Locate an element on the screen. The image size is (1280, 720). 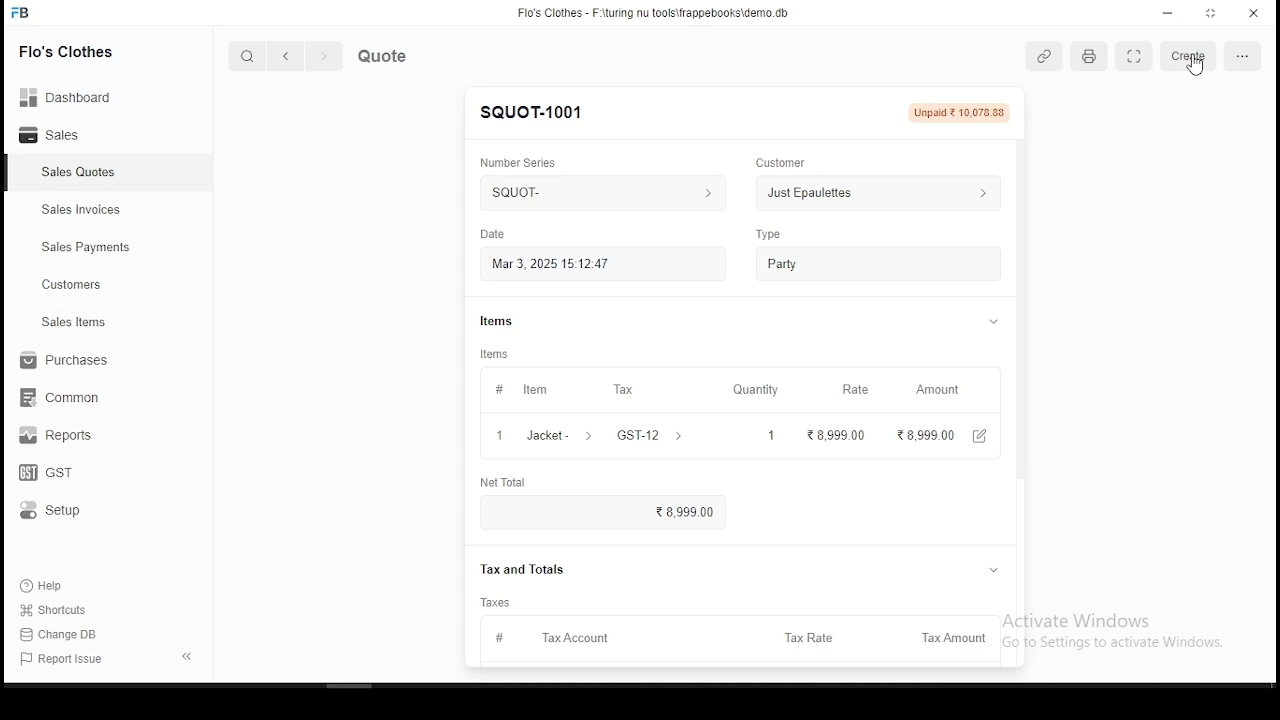
party is located at coordinates (876, 263).